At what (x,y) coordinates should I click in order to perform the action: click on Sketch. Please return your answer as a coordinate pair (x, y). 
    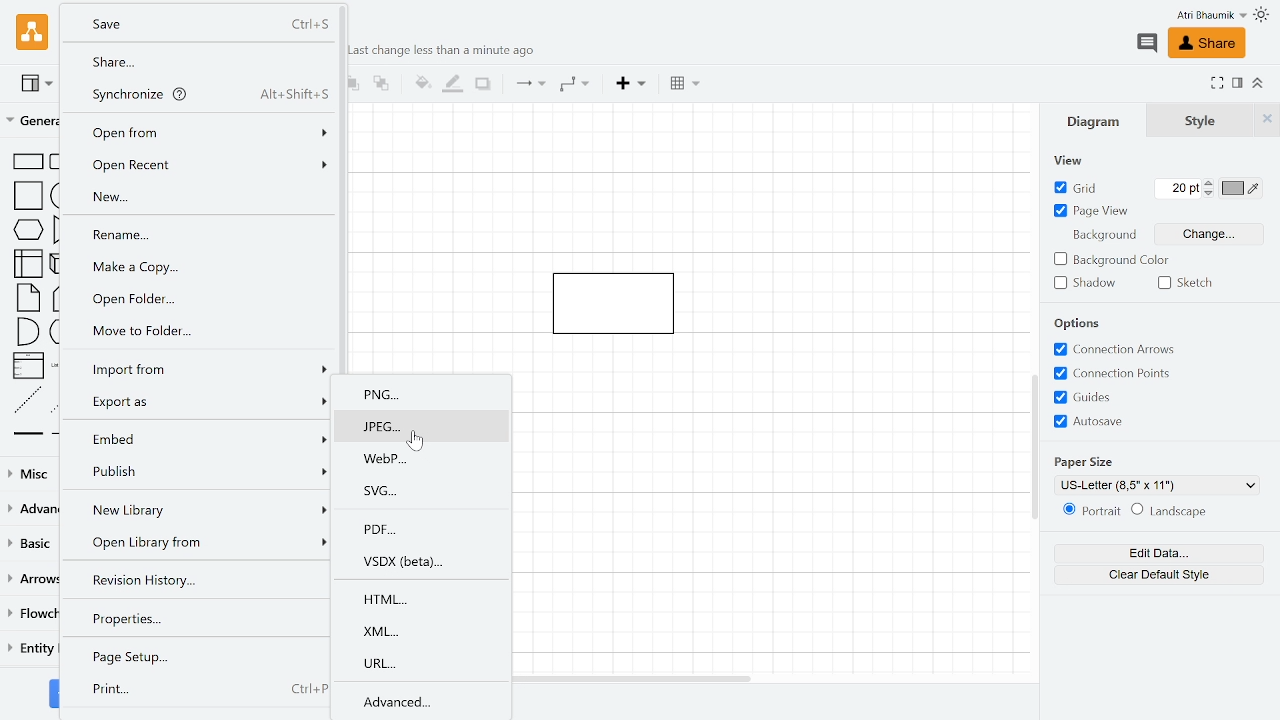
    Looking at the image, I should click on (1188, 283).